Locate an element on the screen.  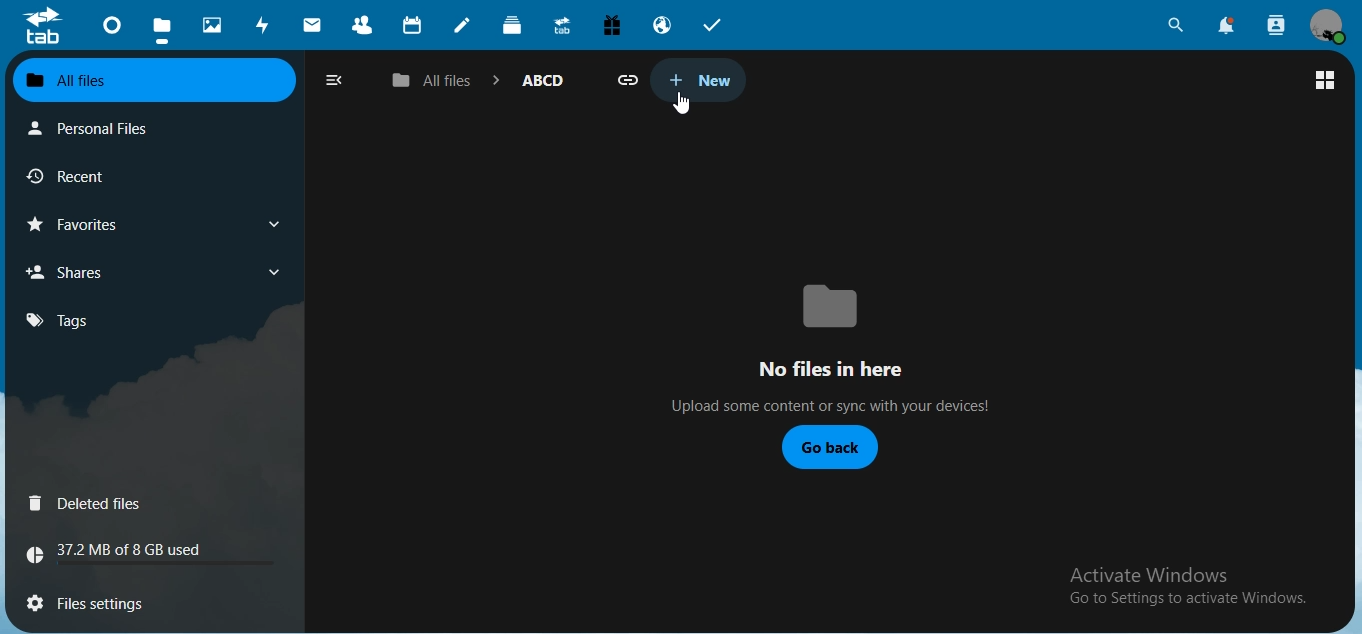
all files is located at coordinates (434, 82).